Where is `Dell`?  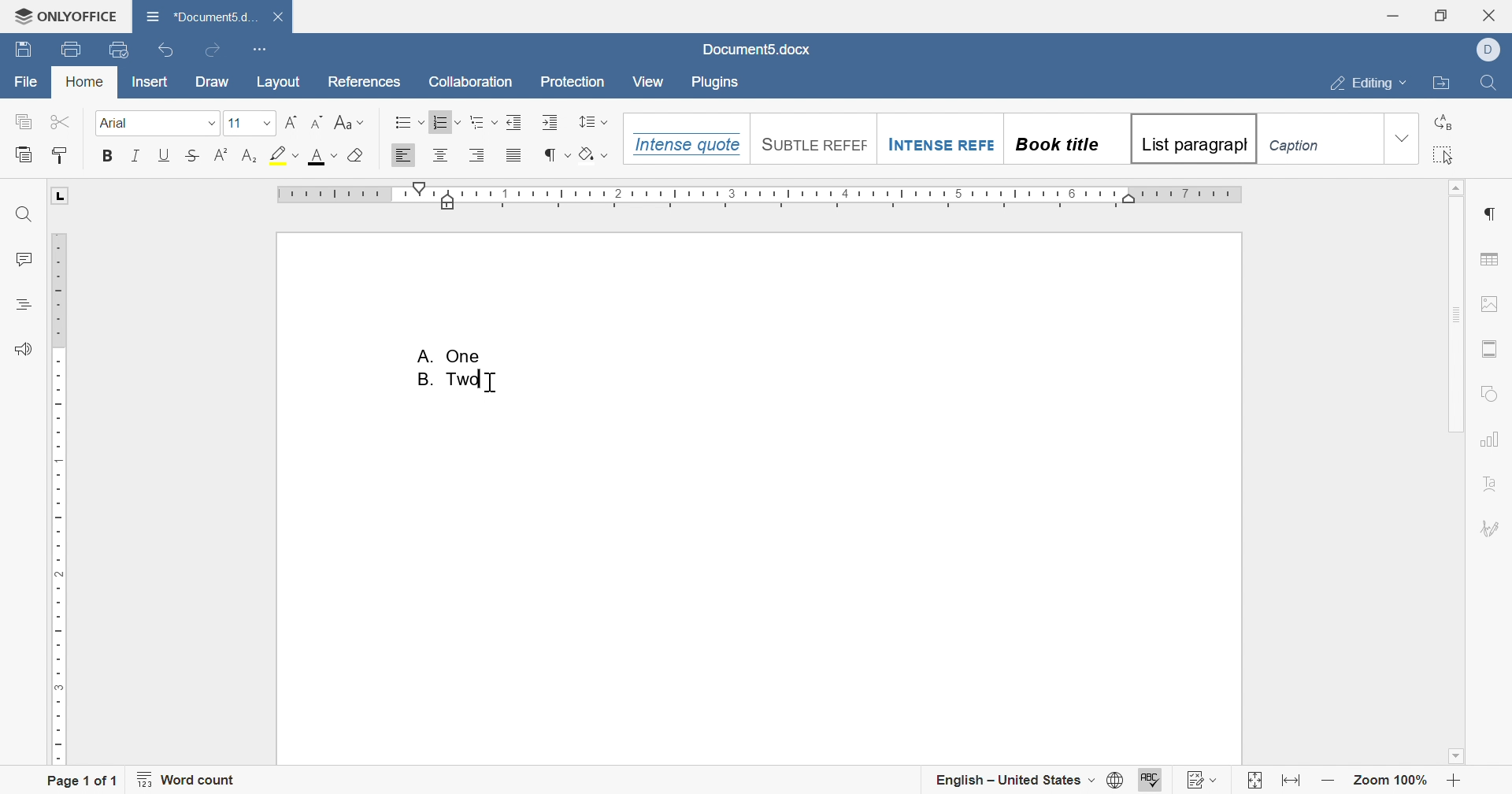
Dell is located at coordinates (1492, 48).